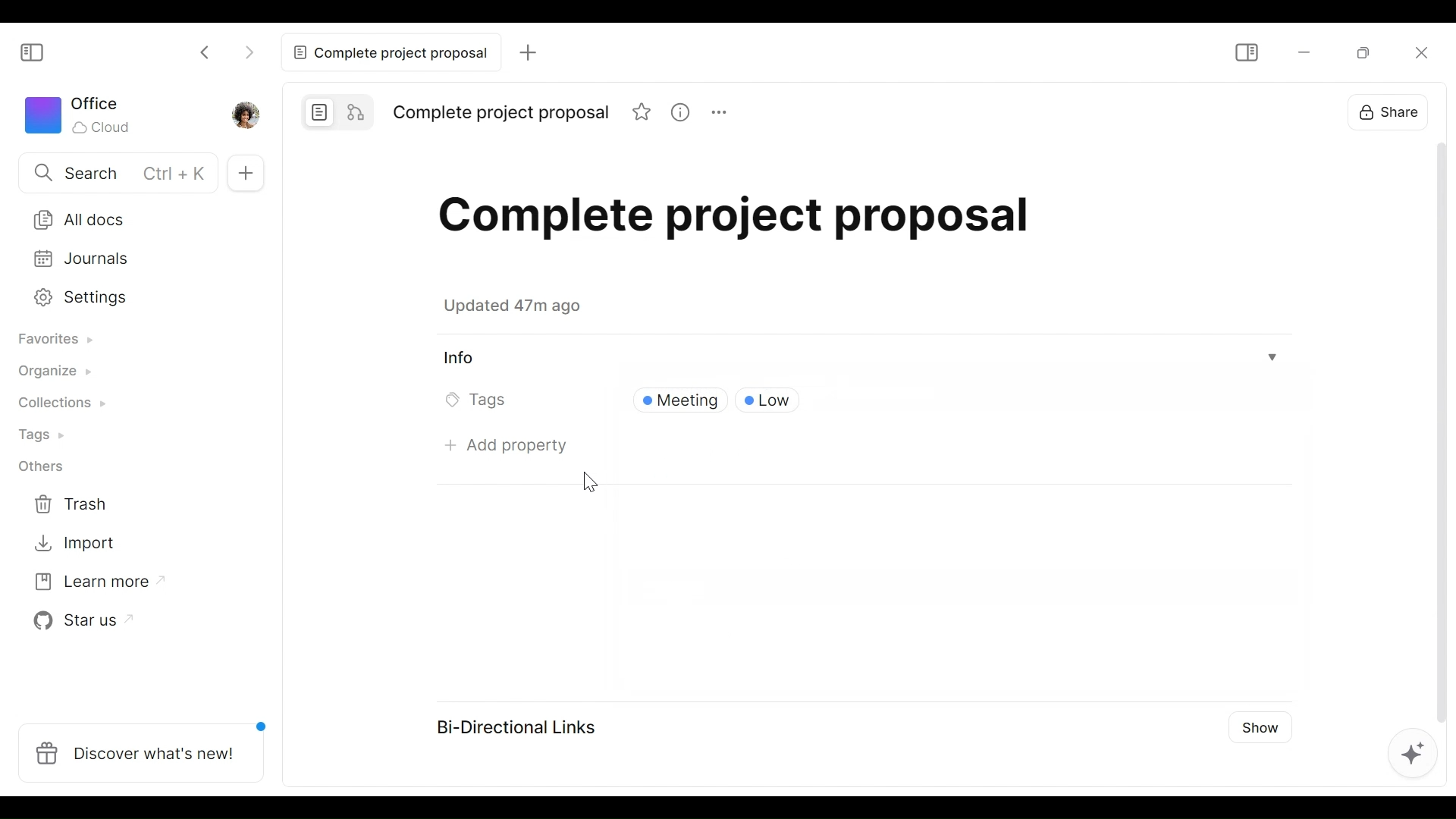 Image resolution: width=1456 pixels, height=819 pixels. I want to click on Add property, so click(509, 446).